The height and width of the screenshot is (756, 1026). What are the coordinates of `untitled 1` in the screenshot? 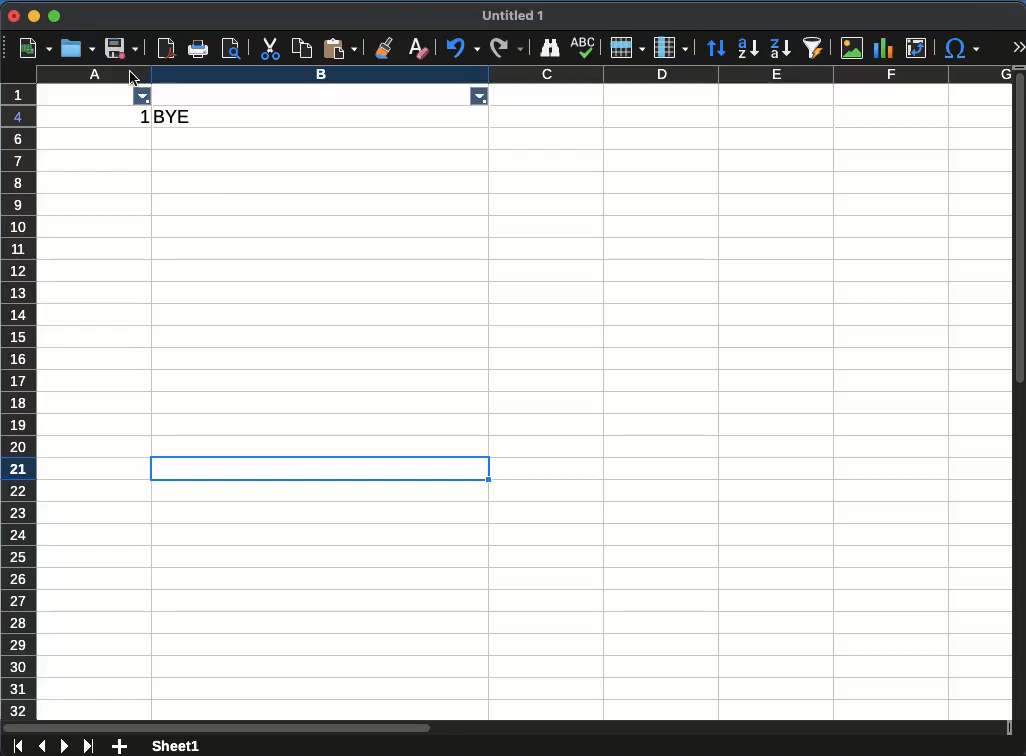 It's located at (514, 15).